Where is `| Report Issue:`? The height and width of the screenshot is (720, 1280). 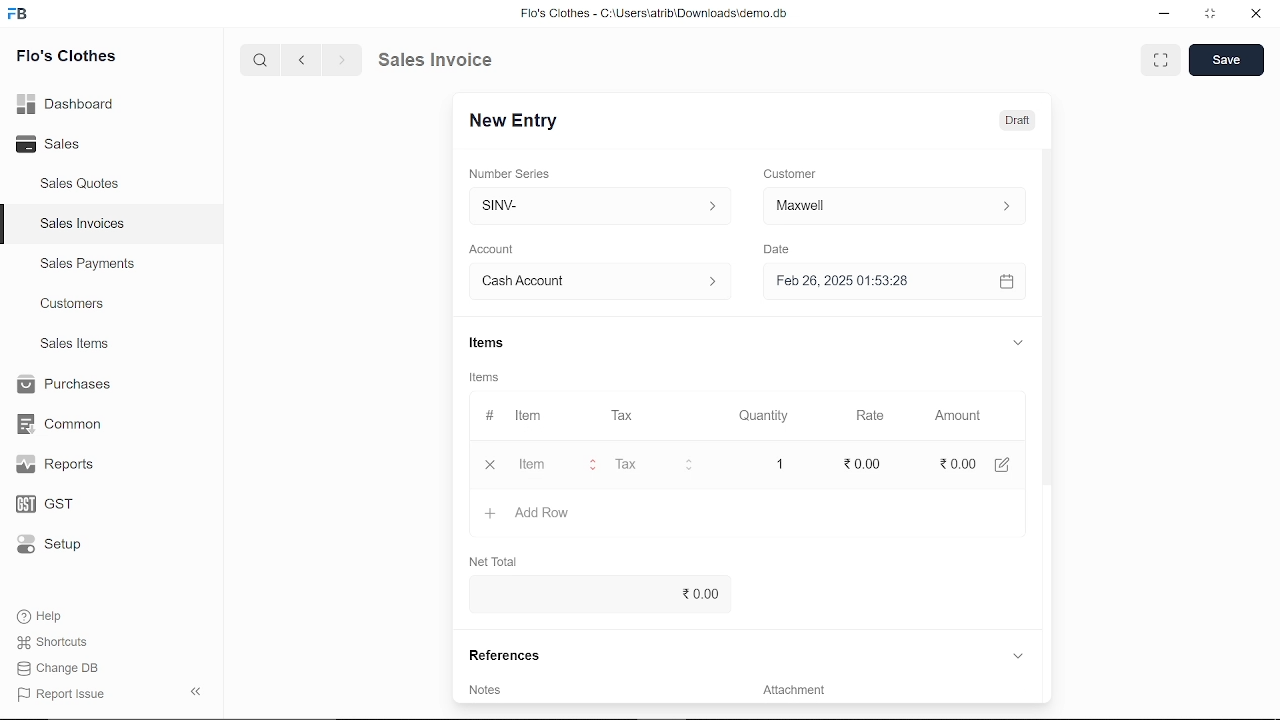 | Report Issue: is located at coordinates (64, 694).